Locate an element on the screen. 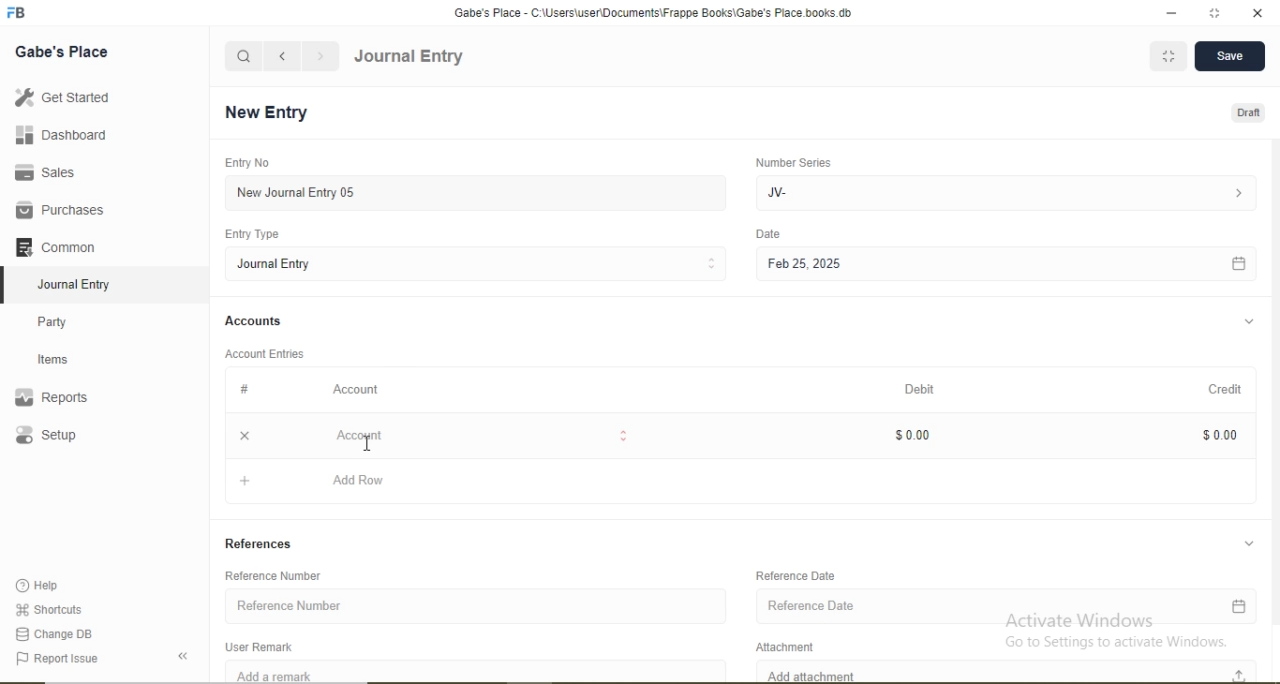  Reference Number is located at coordinates (281, 575).